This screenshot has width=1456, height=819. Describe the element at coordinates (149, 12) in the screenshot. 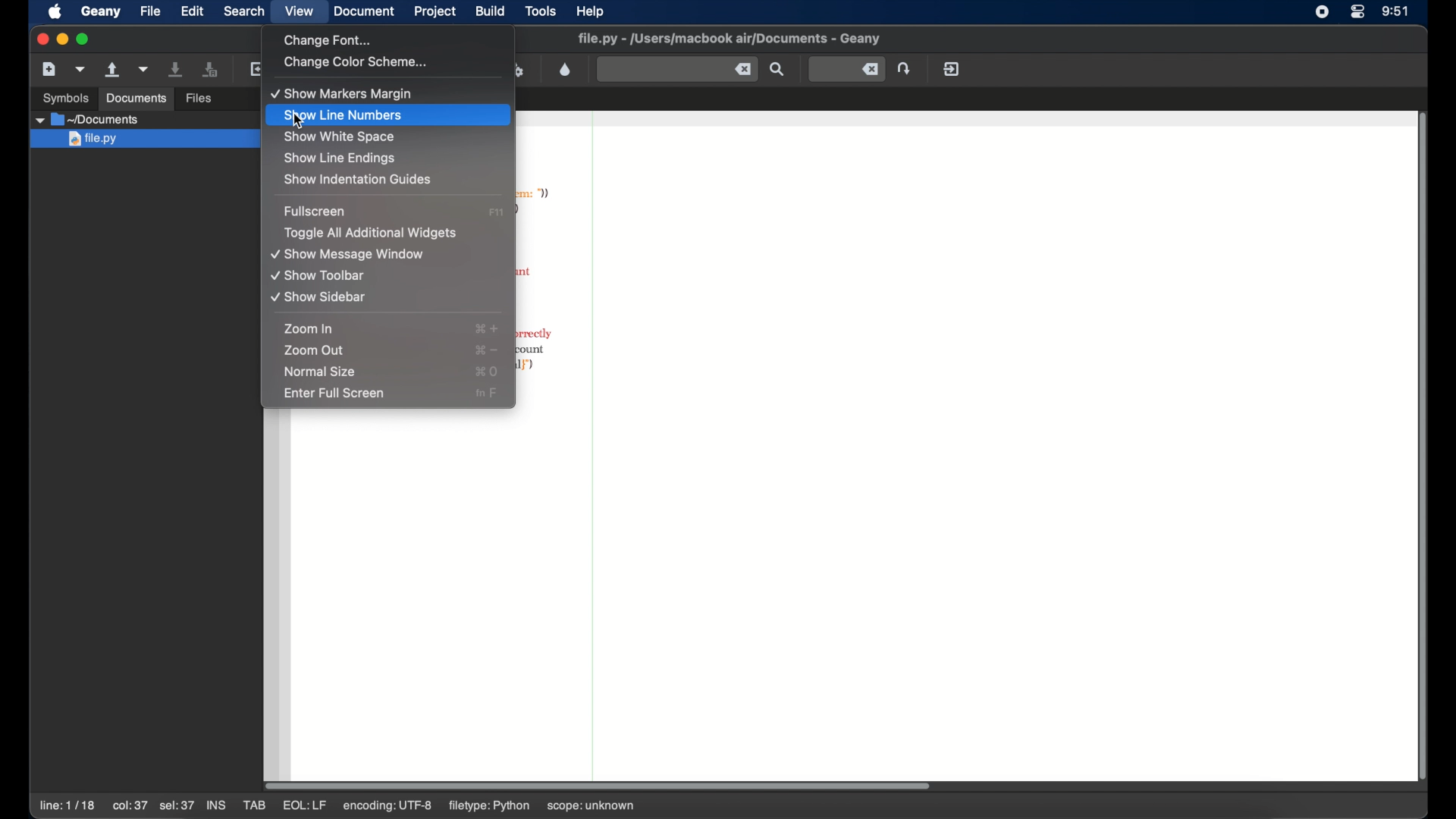

I see `file` at that location.